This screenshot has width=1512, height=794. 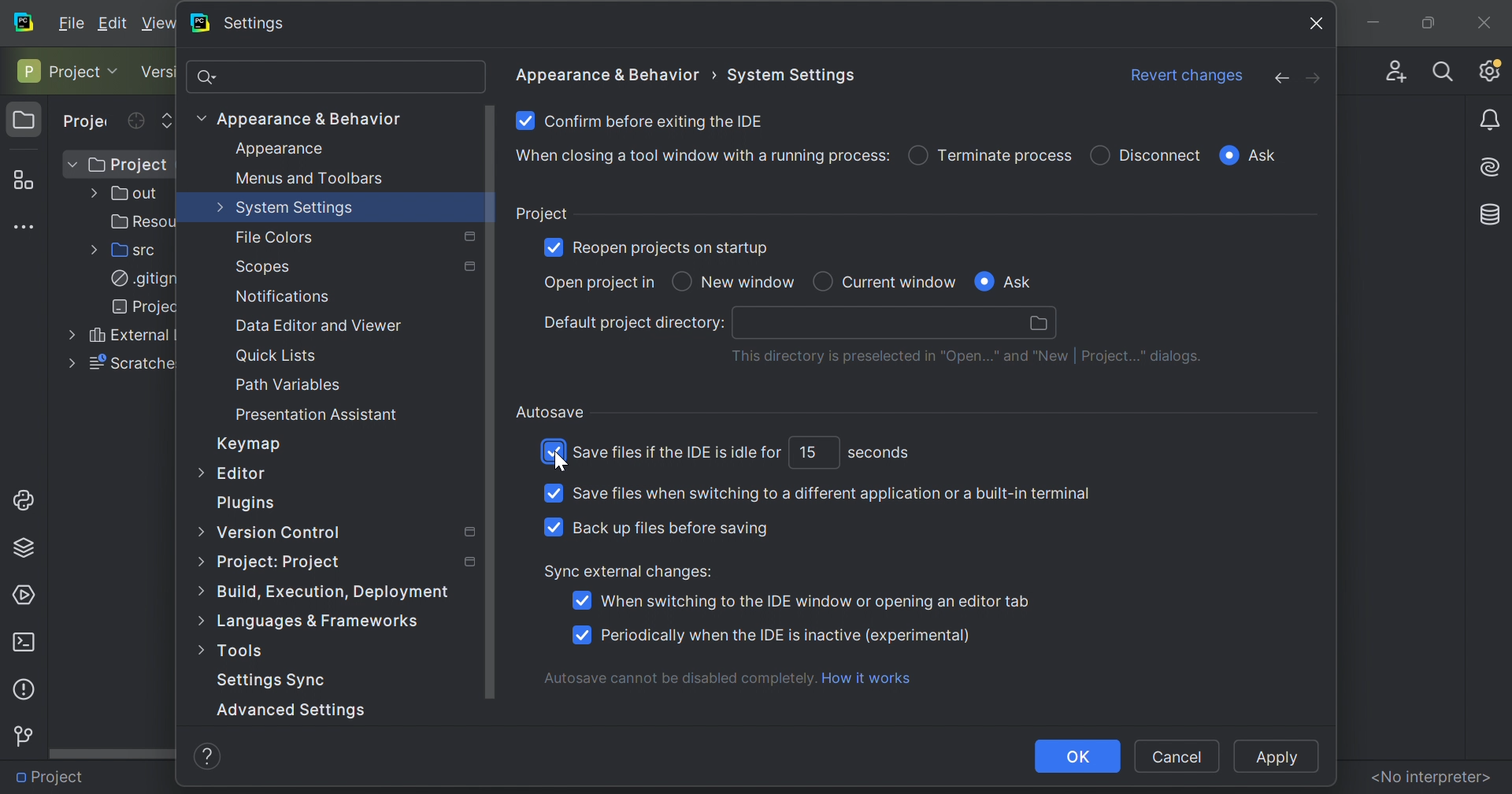 What do you see at coordinates (468, 235) in the screenshot?
I see `Settings marked with this icon are only applied to the current project. Non-marked settings are applied to all projects.` at bounding box center [468, 235].